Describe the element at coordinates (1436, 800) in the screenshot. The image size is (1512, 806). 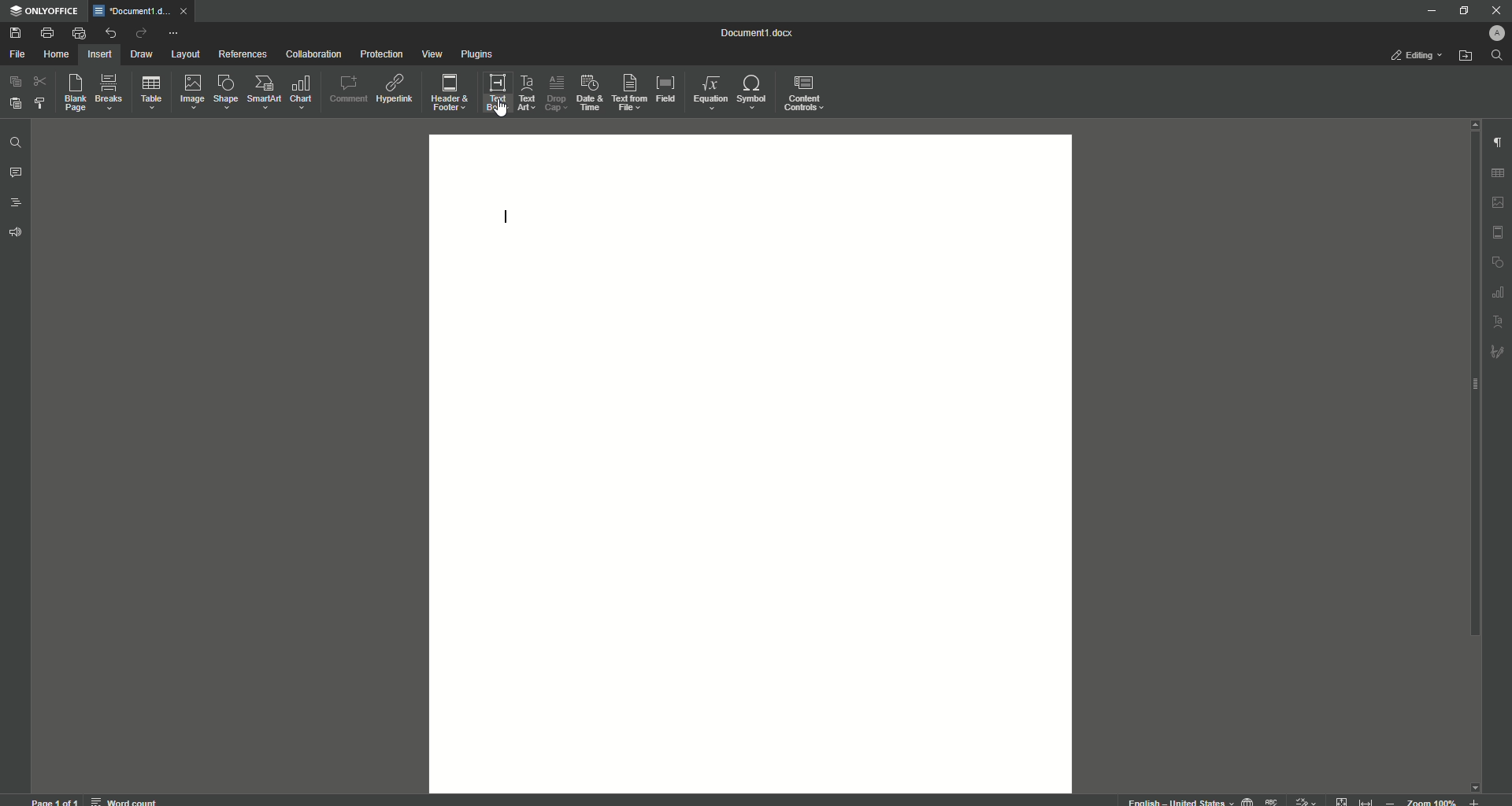
I see `zoom out or zoom in` at that location.